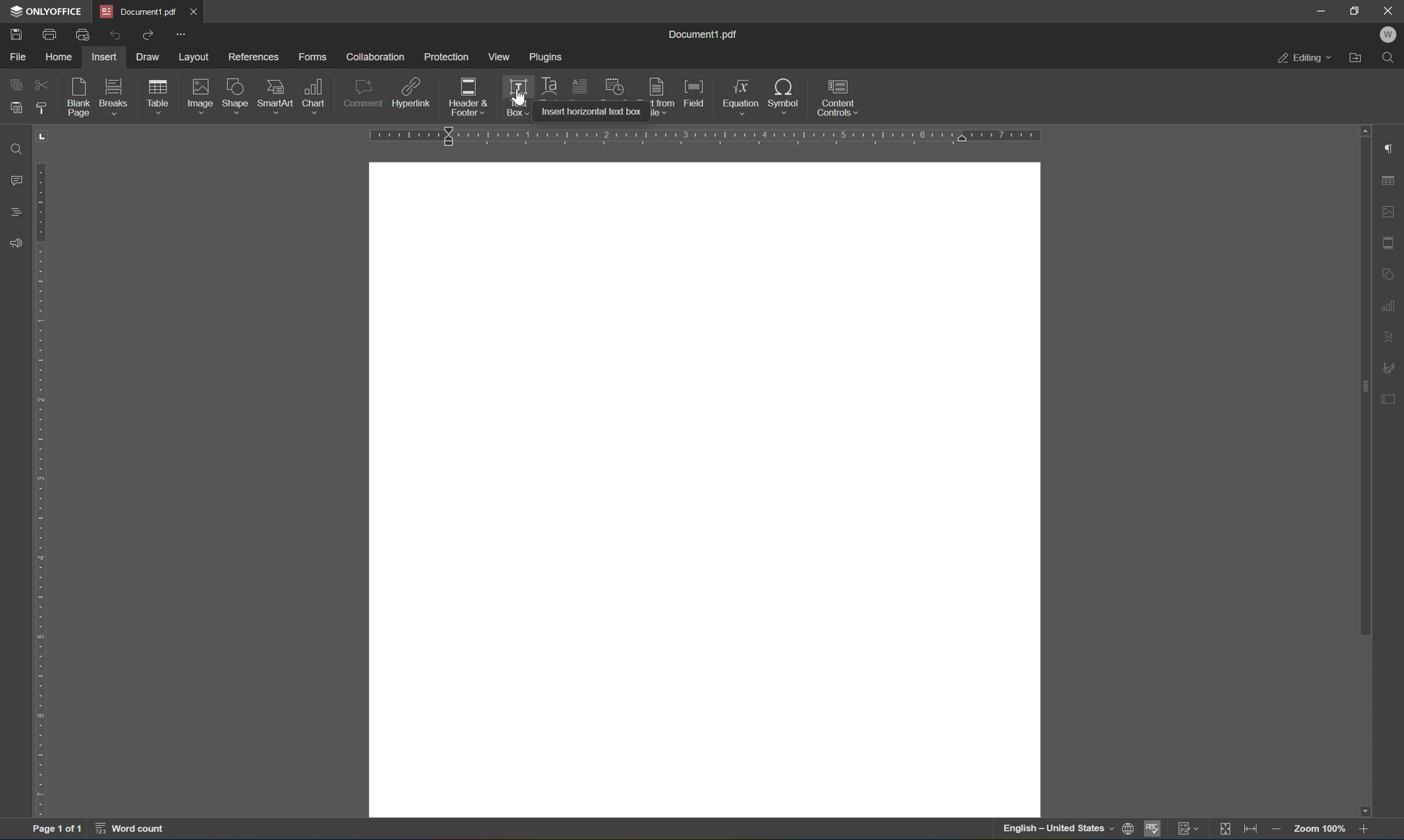  Describe the element at coordinates (469, 98) in the screenshot. I see `header and footer` at that location.